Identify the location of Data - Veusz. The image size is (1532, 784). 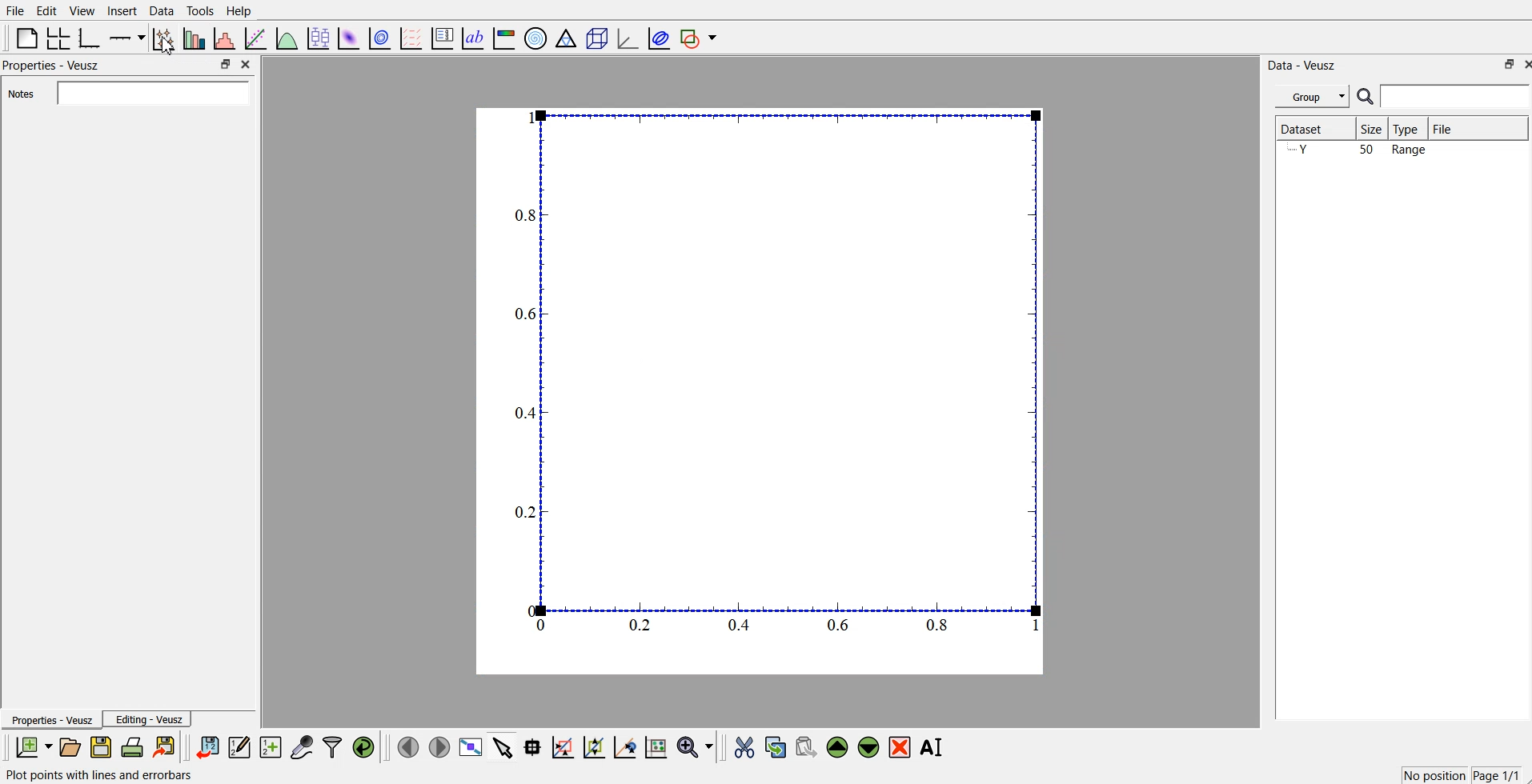
(1303, 65).